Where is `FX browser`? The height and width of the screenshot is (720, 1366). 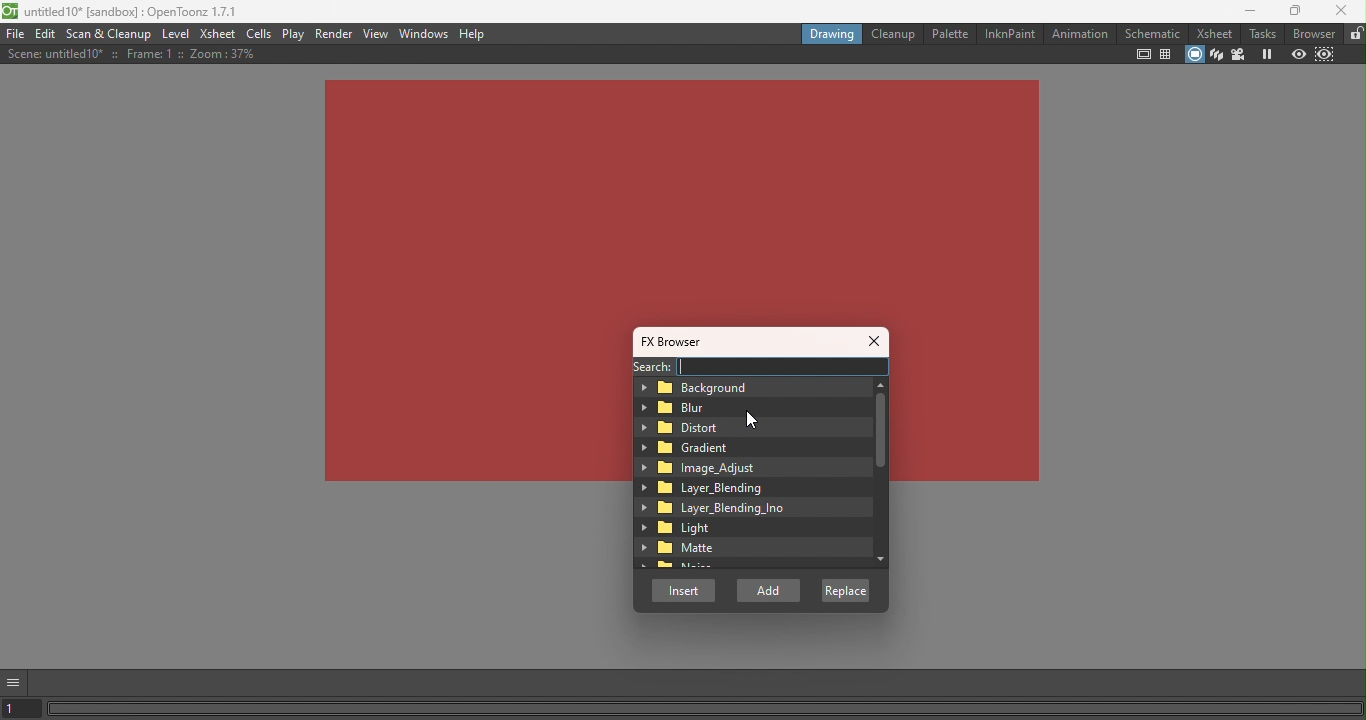
FX browser is located at coordinates (679, 342).